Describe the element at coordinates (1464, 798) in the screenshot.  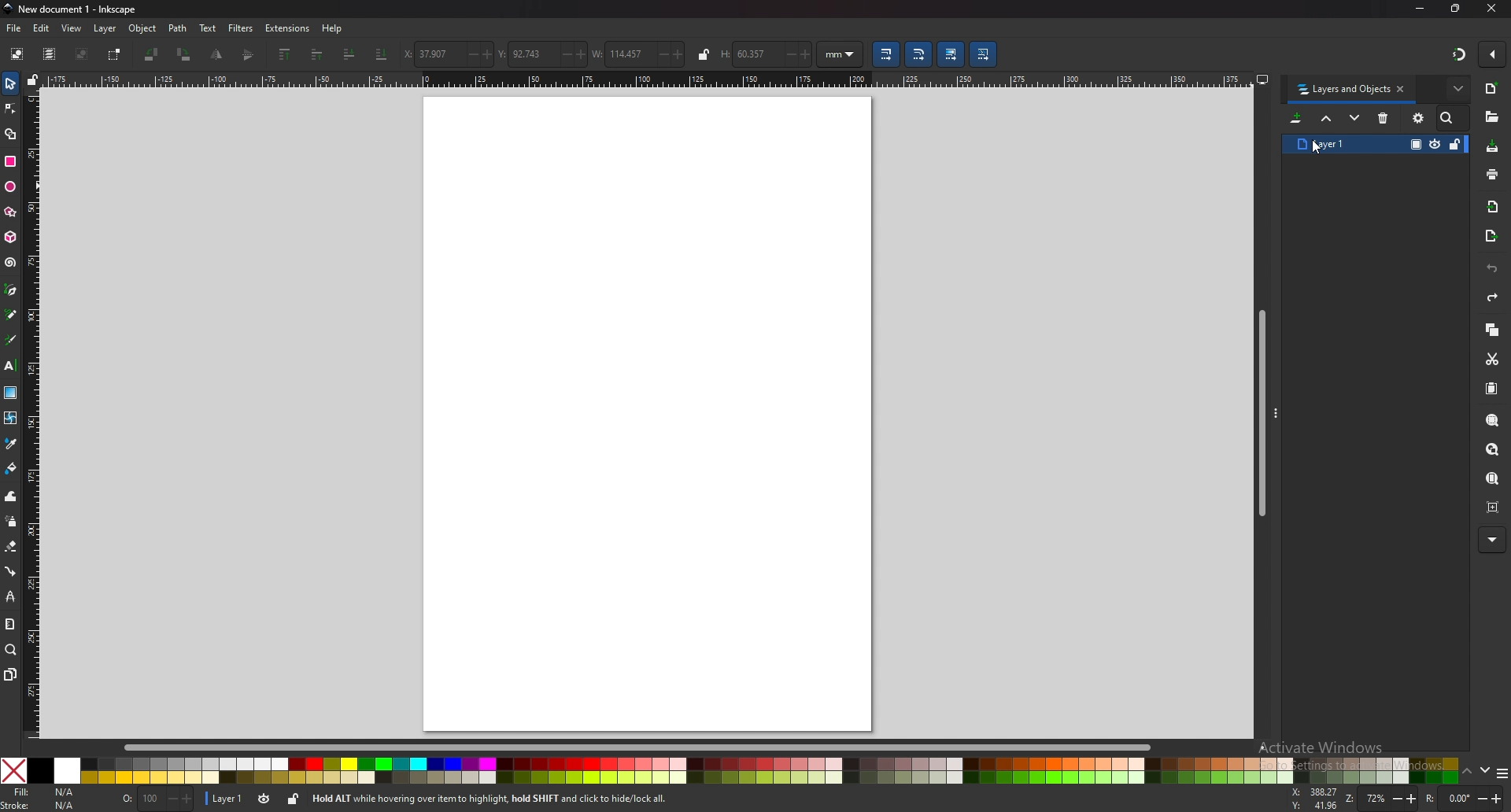
I see `rotate` at that location.